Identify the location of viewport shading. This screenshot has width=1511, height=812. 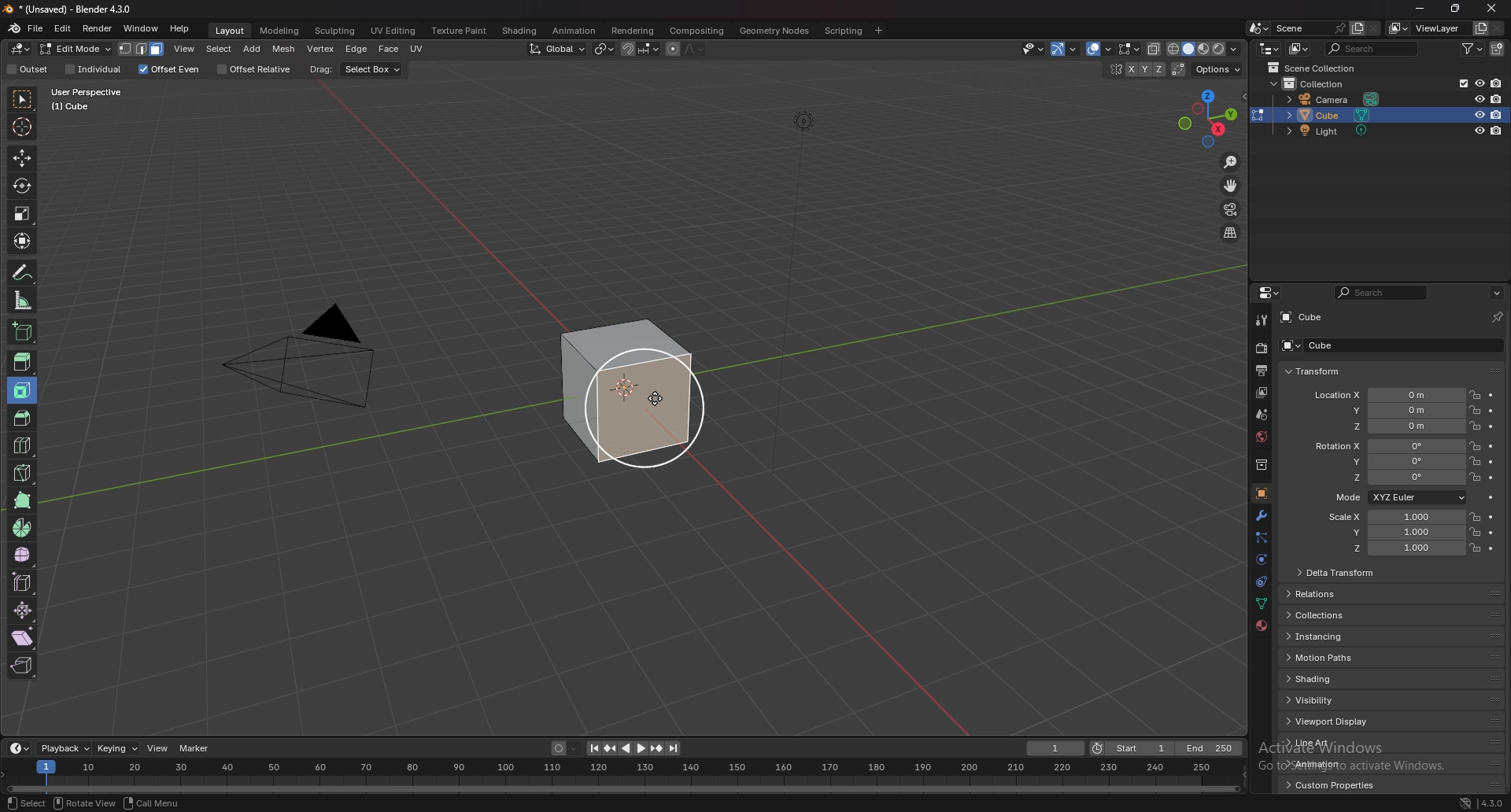
(1206, 49).